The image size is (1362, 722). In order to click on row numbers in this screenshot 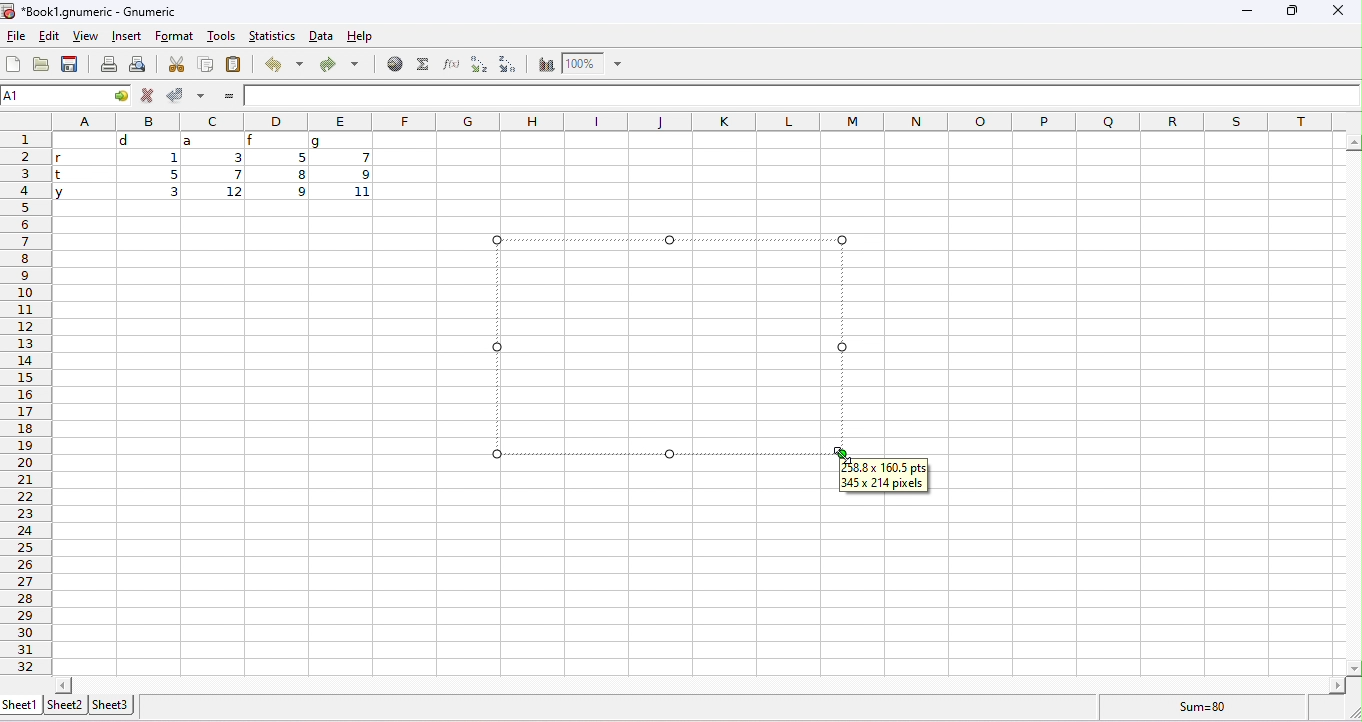, I will do `click(24, 405)`.